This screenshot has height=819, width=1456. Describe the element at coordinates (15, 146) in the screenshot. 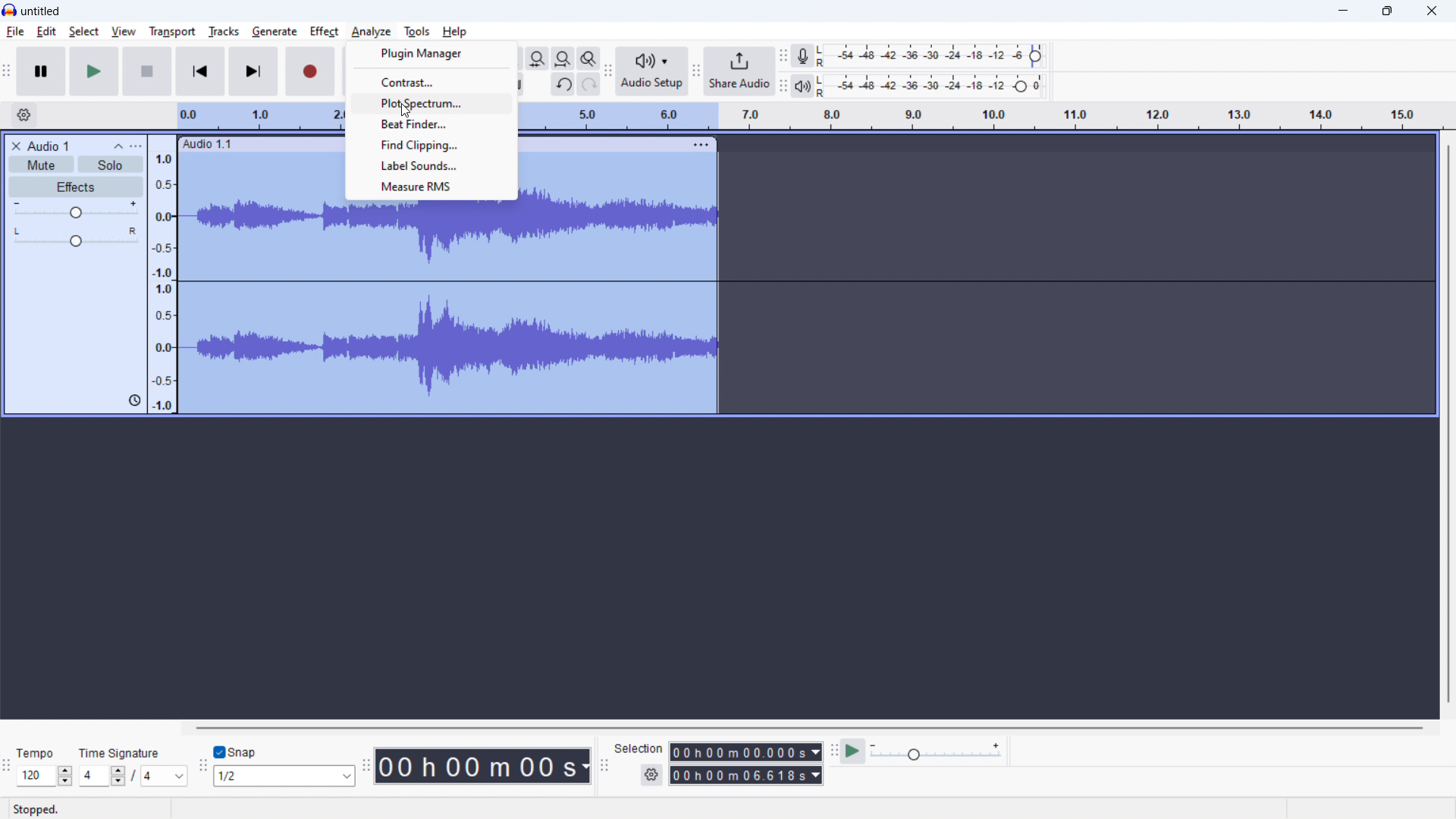

I see `remove track` at that location.